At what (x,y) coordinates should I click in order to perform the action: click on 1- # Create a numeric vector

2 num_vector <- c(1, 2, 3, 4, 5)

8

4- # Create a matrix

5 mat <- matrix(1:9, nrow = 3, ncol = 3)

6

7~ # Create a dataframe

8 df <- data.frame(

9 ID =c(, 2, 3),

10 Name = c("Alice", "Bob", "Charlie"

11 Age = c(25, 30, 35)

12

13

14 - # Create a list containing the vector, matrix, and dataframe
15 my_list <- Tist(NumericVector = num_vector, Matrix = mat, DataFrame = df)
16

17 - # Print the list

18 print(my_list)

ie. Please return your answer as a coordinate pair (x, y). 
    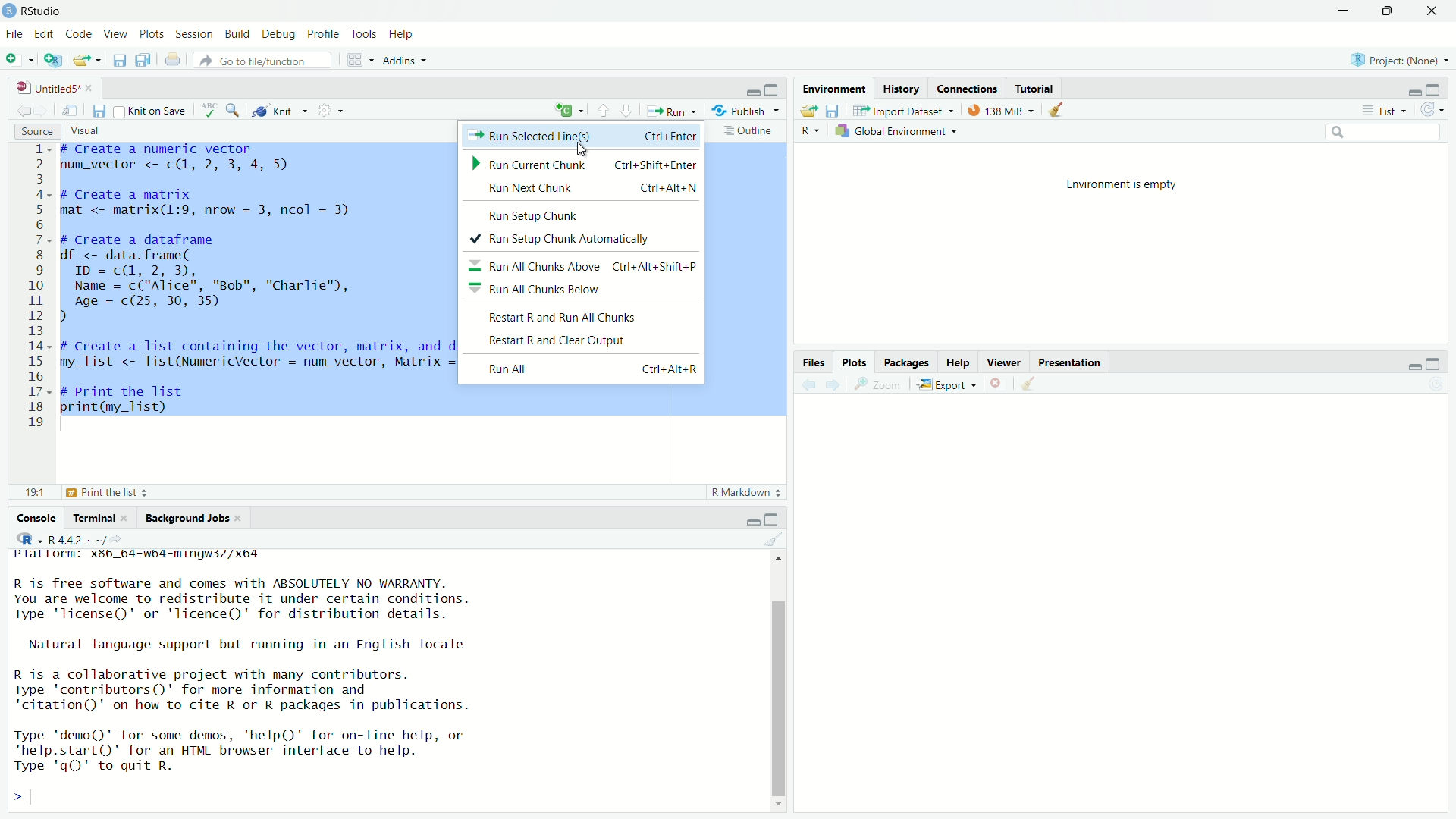
    Looking at the image, I should click on (244, 287).